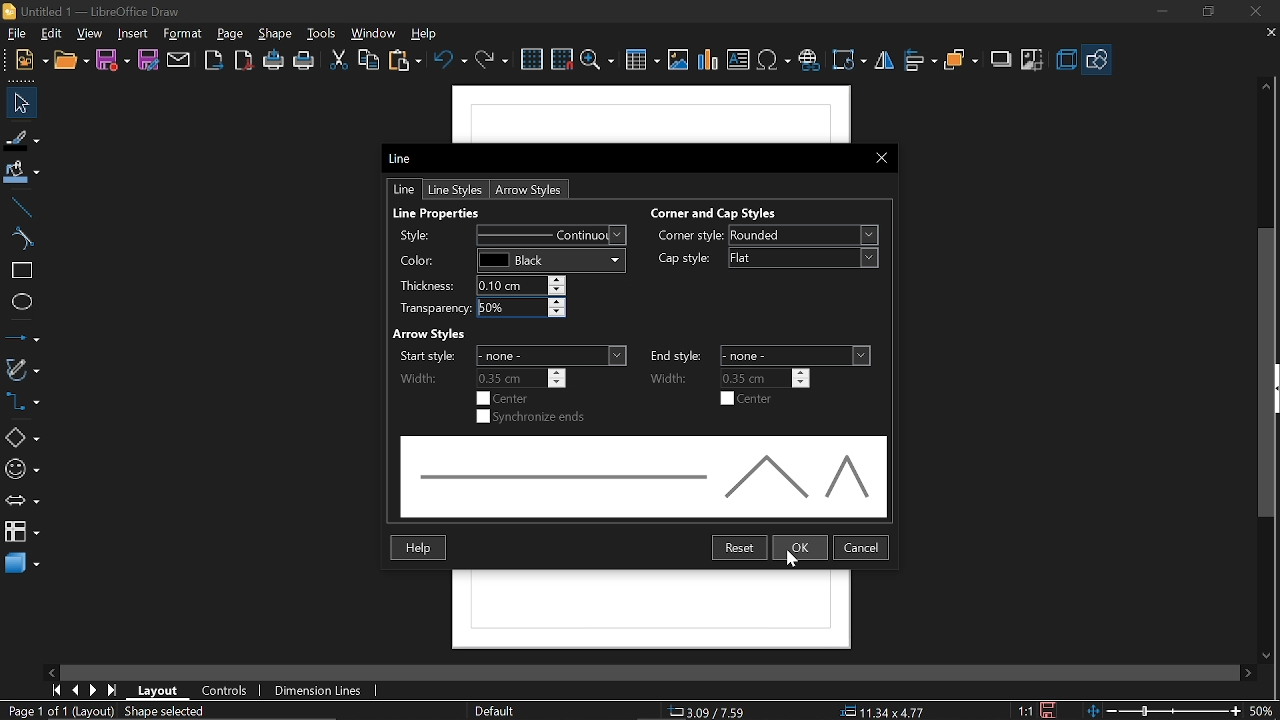 The height and width of the screenshot is (720, 1280). What do you see at coordinates (738, 213) in the screenshot?
I see `Corner and Cap Styles` at bounding box center [738, 213].